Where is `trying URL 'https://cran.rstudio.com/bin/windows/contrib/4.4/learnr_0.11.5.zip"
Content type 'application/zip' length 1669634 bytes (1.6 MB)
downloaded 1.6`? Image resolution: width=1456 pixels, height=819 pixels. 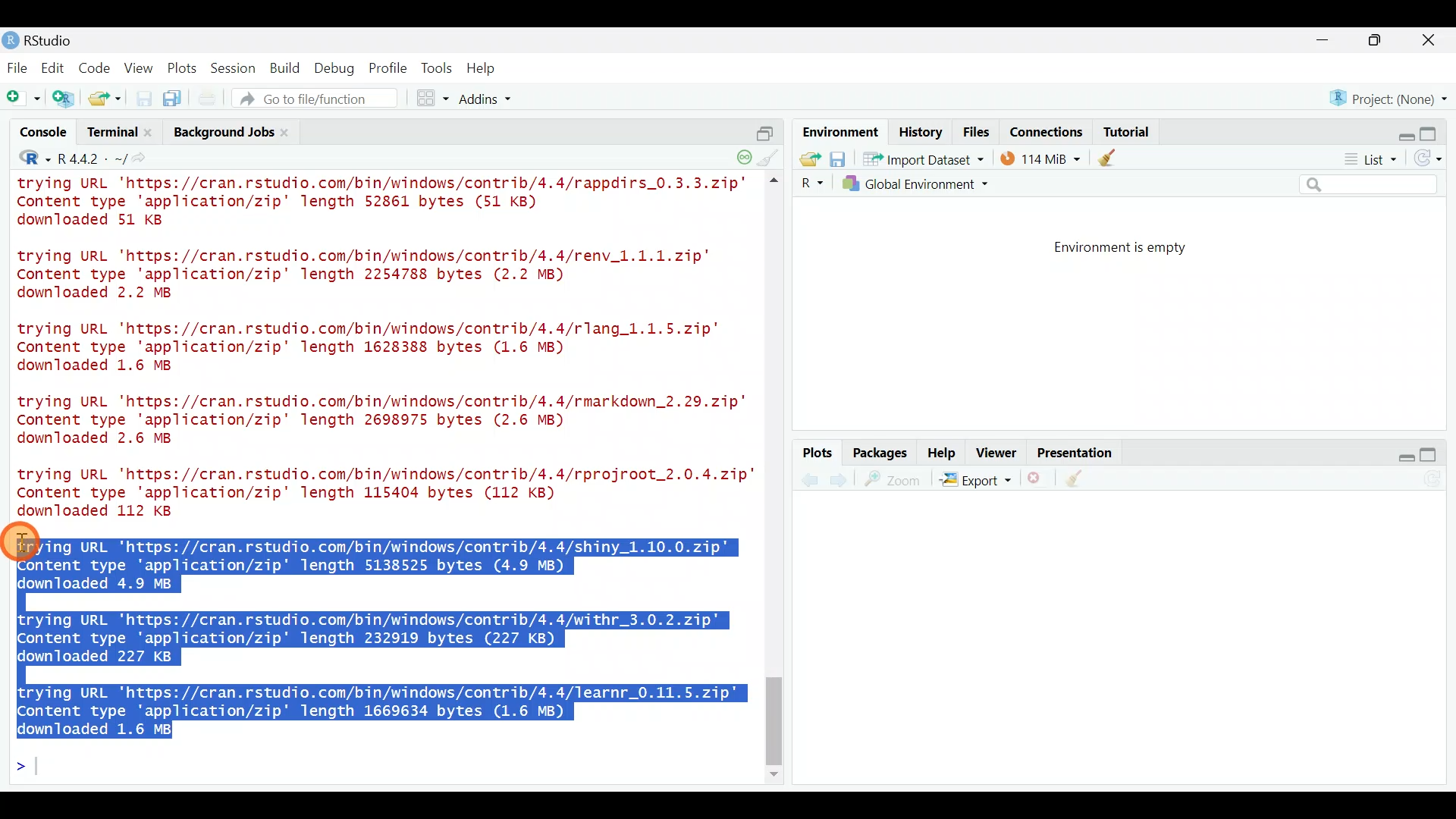
trying URL 'https://cran.rstudio.com/bin/windows/contrib/4.4/learnr_0.11.5.zip"
Content type 'application/zip' length 1669634 bytes (1.6 MB)
downloaded 1.6 is located at coordinates (384, 708).